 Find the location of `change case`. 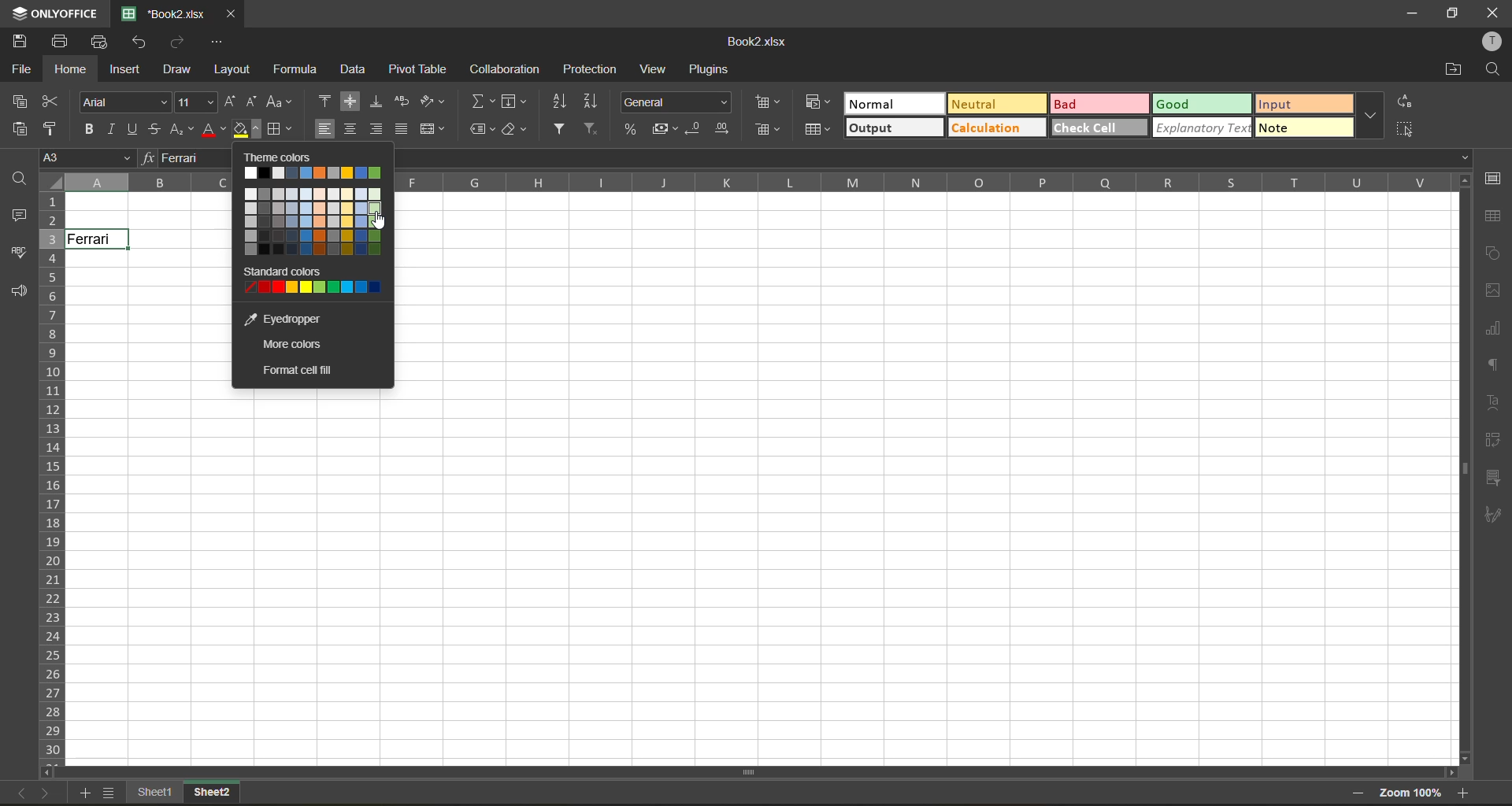

change case is located at coordinates (279, 102).